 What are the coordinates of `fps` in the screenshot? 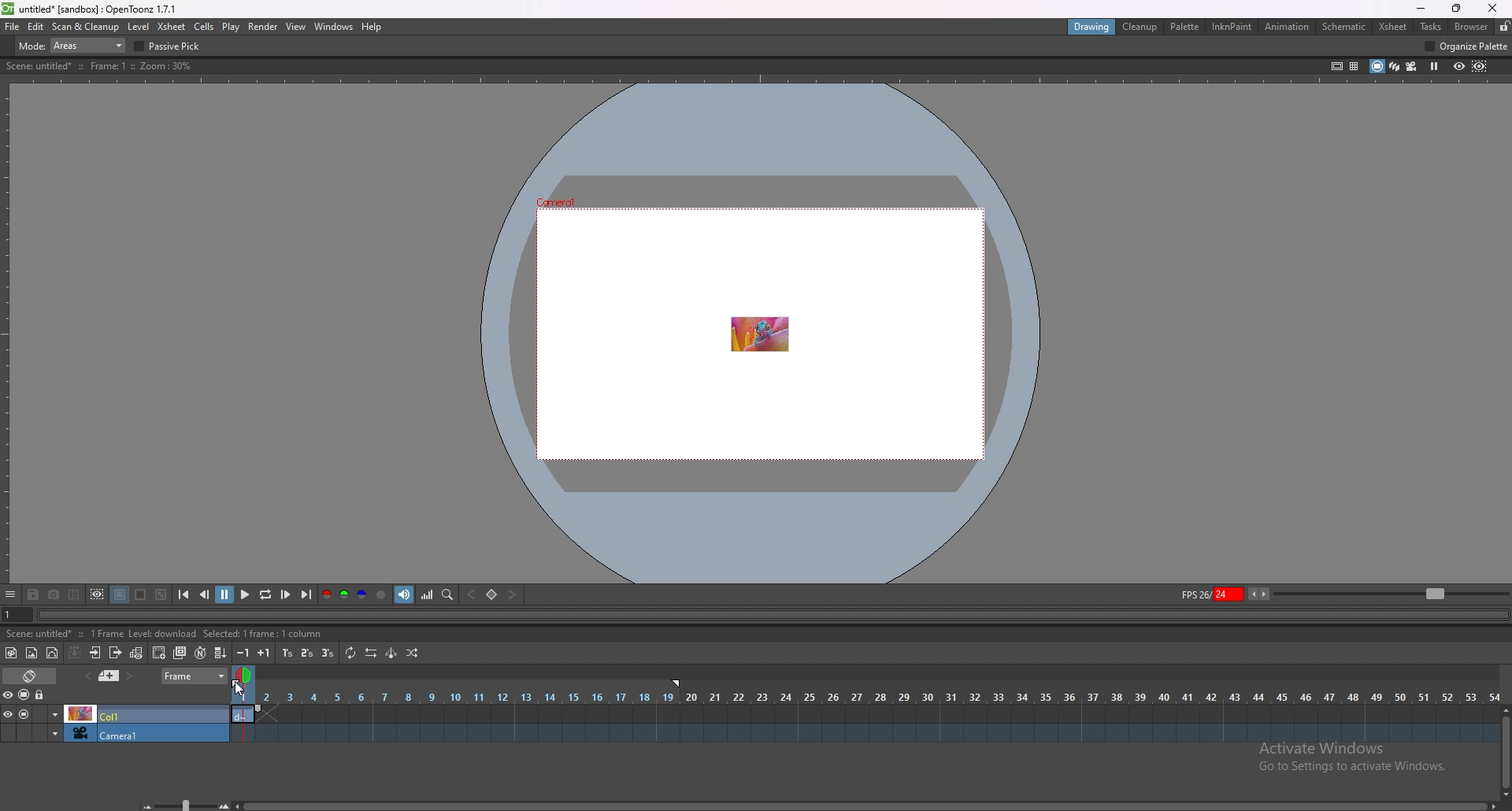 It's located at (1225, 594).